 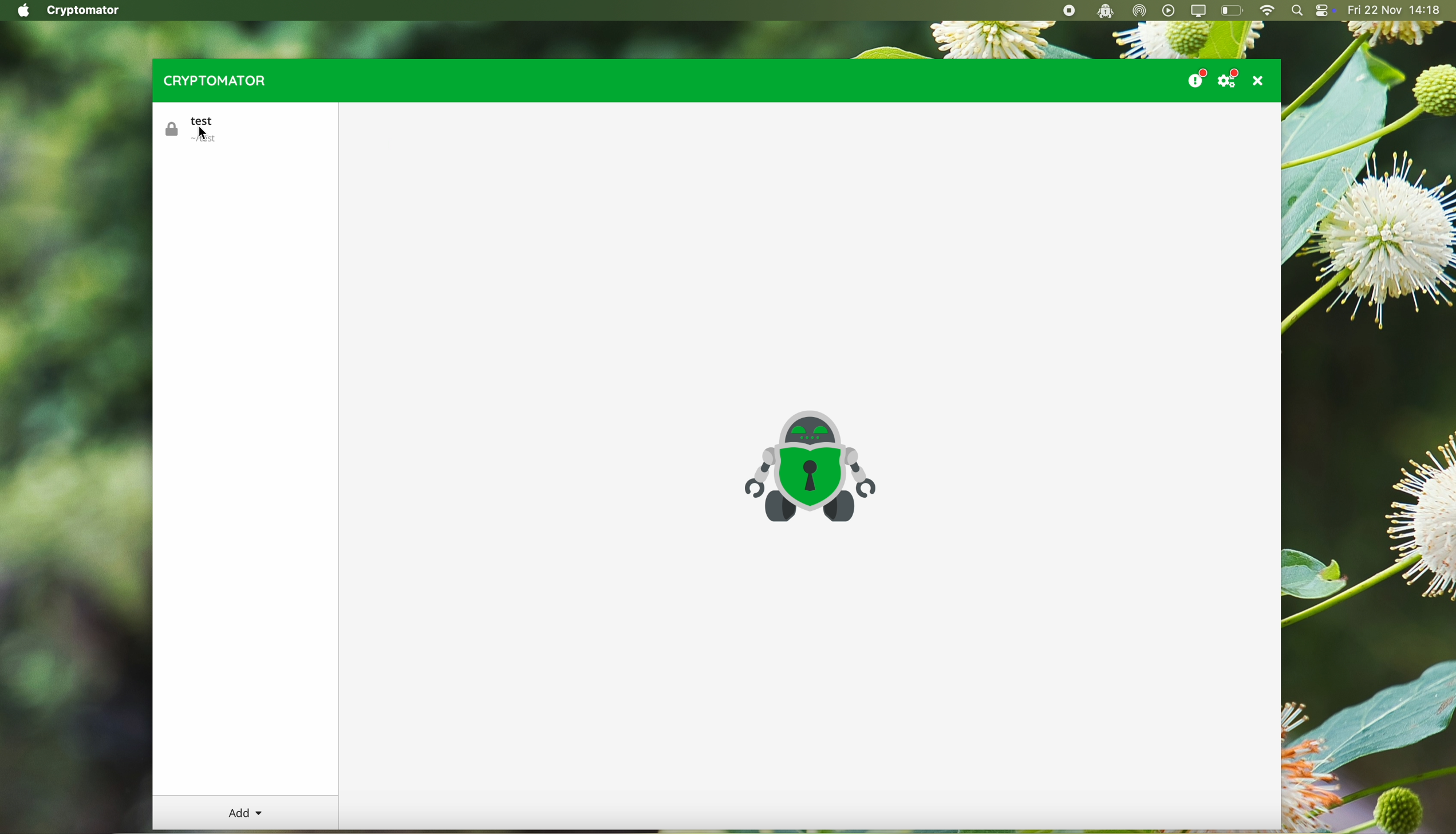 What do you see at coordinates (1200, 11) in the screenshot?
I see `screen` at bounding box center [1200, 11].